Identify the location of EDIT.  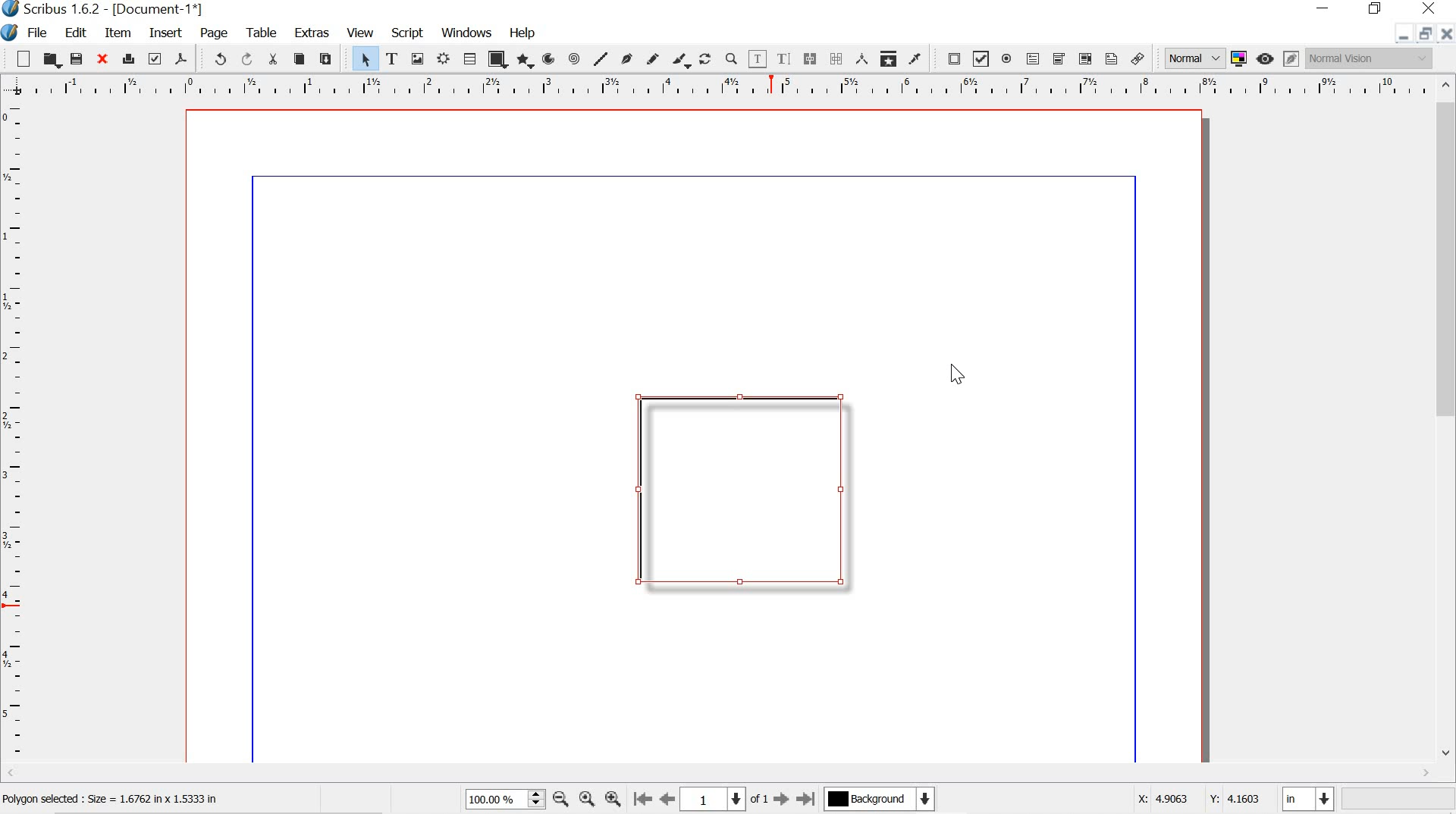
(78, 33).